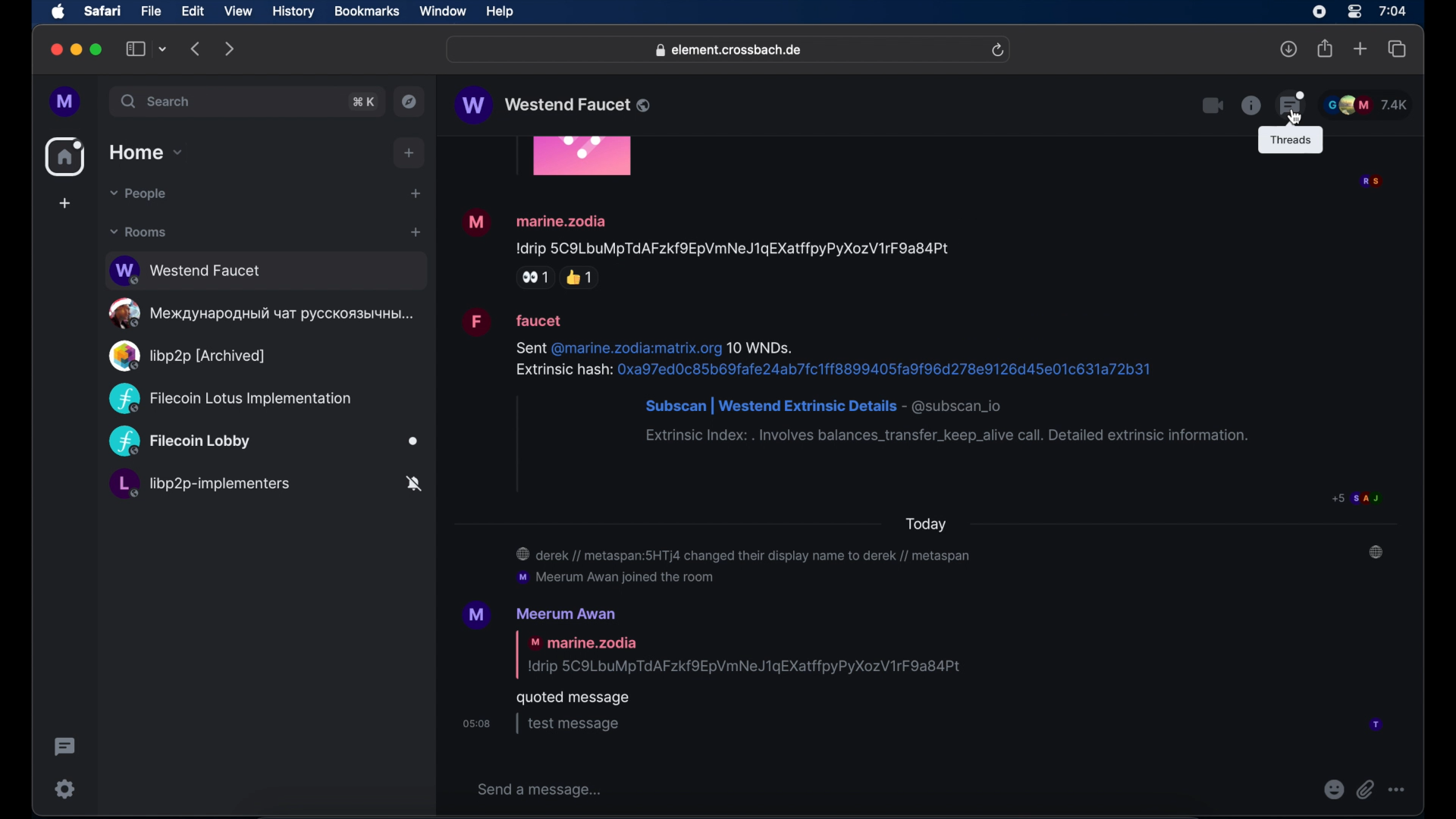  What do you see at coordinates (739, 249) in the screenshot?
I see `Idrip 5C9LbuMpTdAFzkfOEpVmNeJ1qEXatffpyPyXozV1rF9a84Pt` at bounding box center [739, 249].